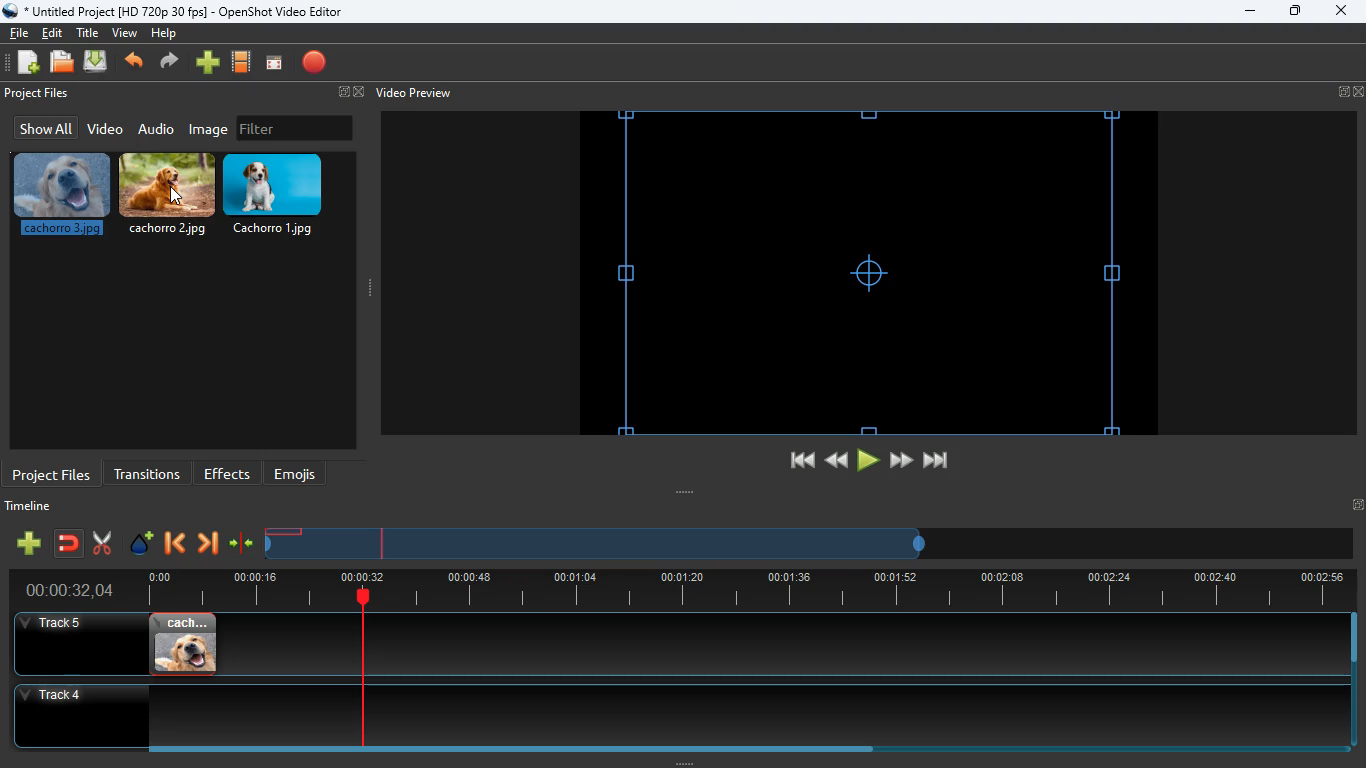  Describe the element at coordinates (70, 545) in the screenshot. I see `join` at that location.